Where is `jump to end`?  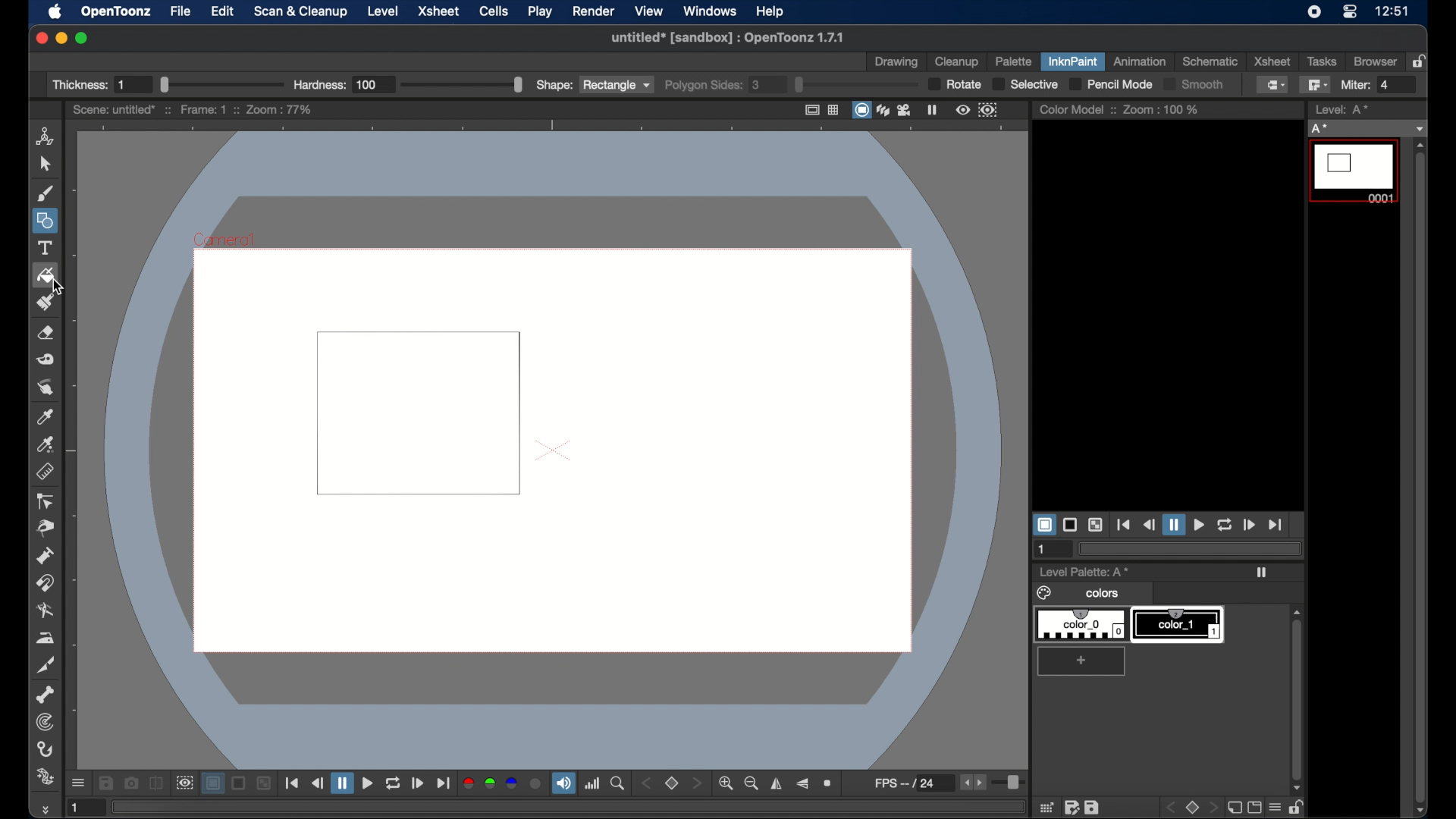 jump to end is located at coordinates (443, 783).